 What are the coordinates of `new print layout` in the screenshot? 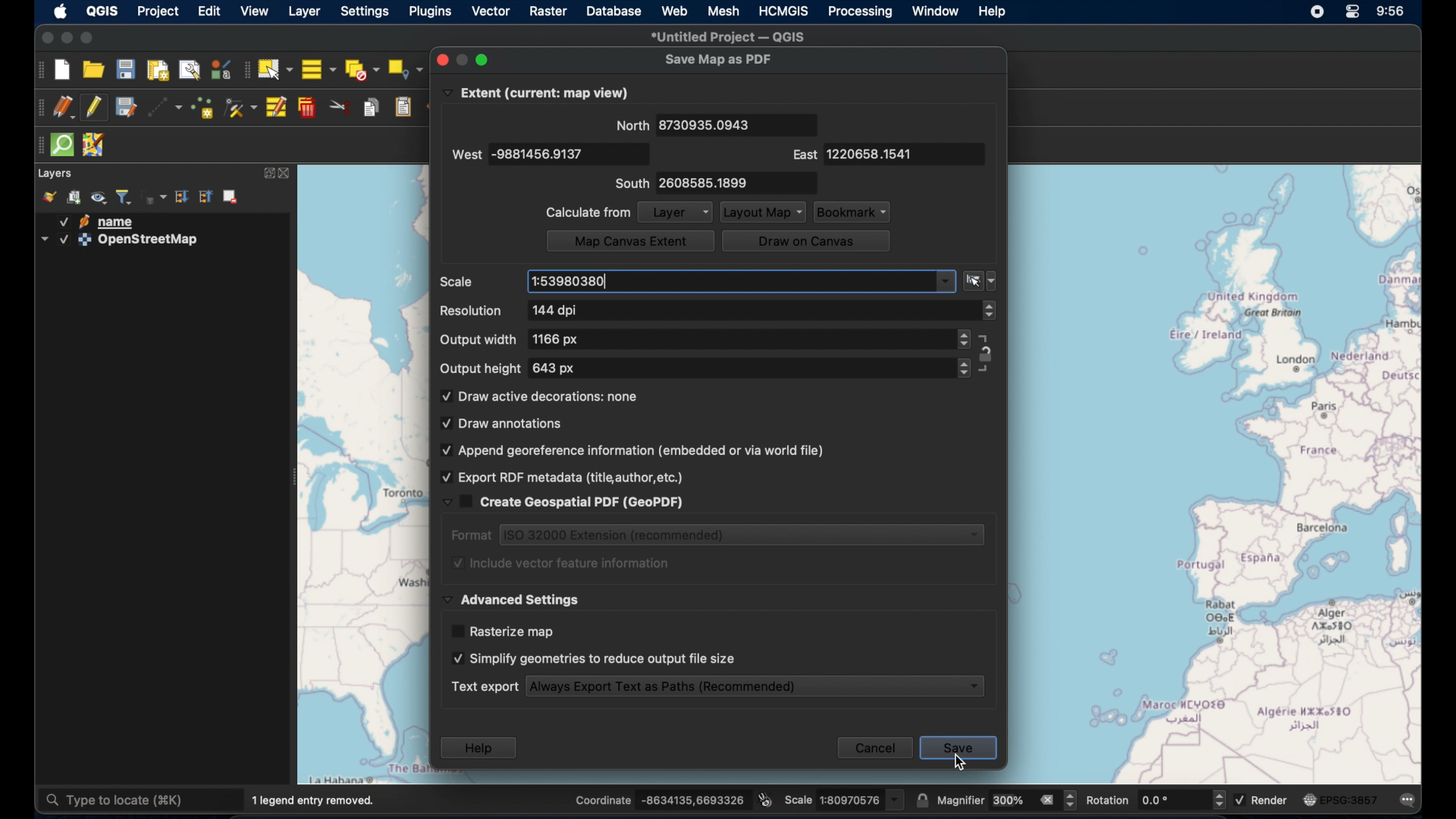 It's located at (157, 71).